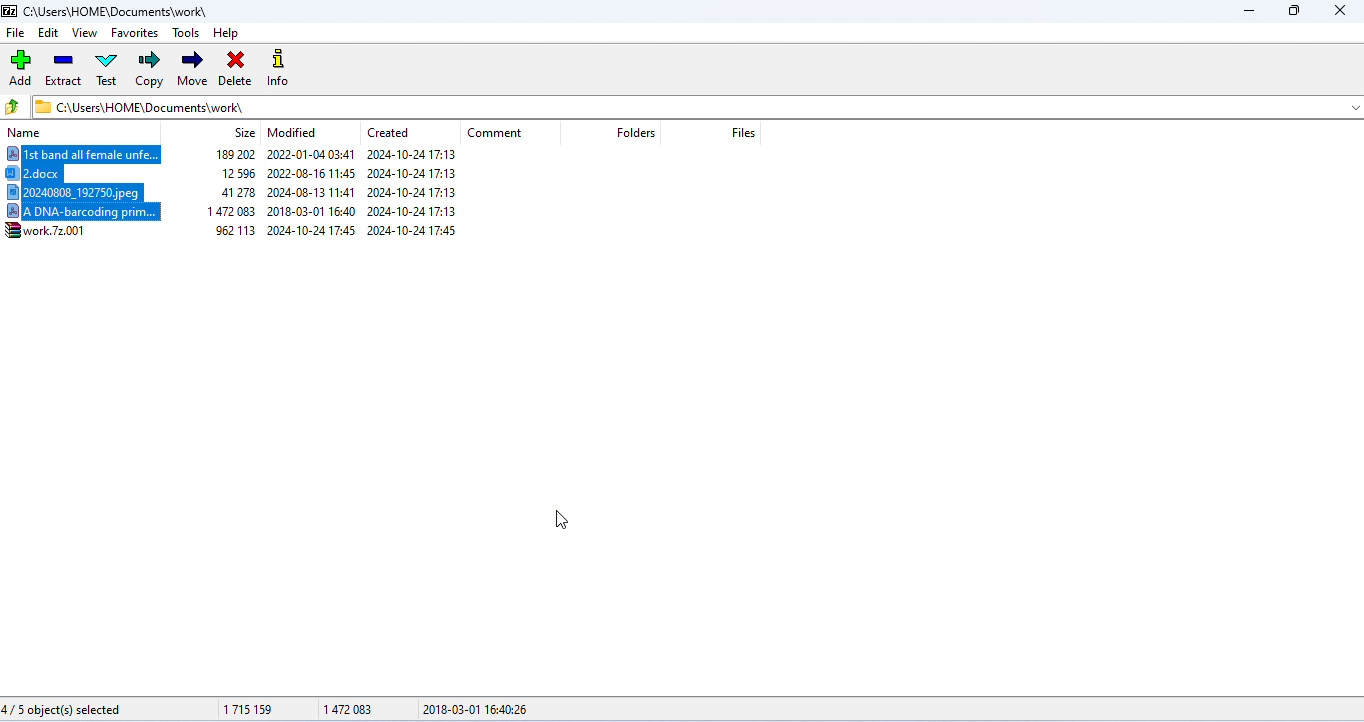 This screenshot has height=722, width=1364. What do you see at coordinates (62, 710) in the screenshot?
I see `4/5 object(s) selected` at bounding box center [62, 710].